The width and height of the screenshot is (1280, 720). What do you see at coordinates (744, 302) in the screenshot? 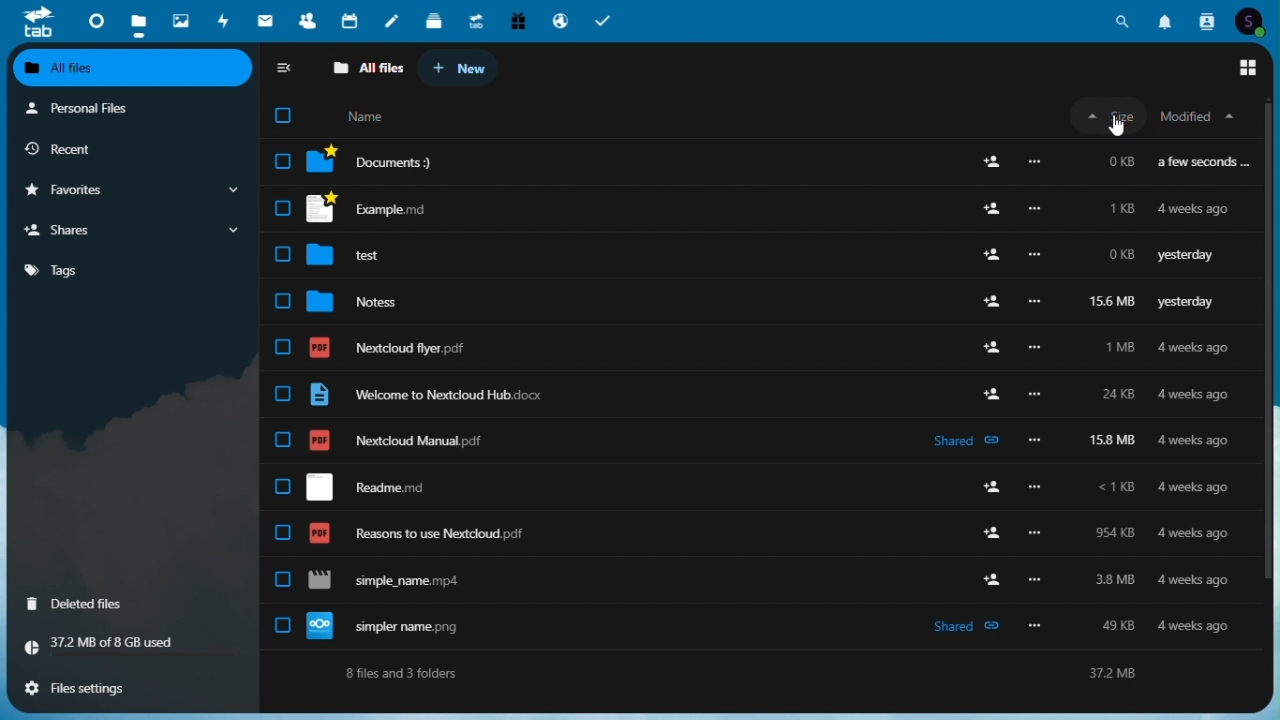
I see `Notess` at bounding box center [744, 302].